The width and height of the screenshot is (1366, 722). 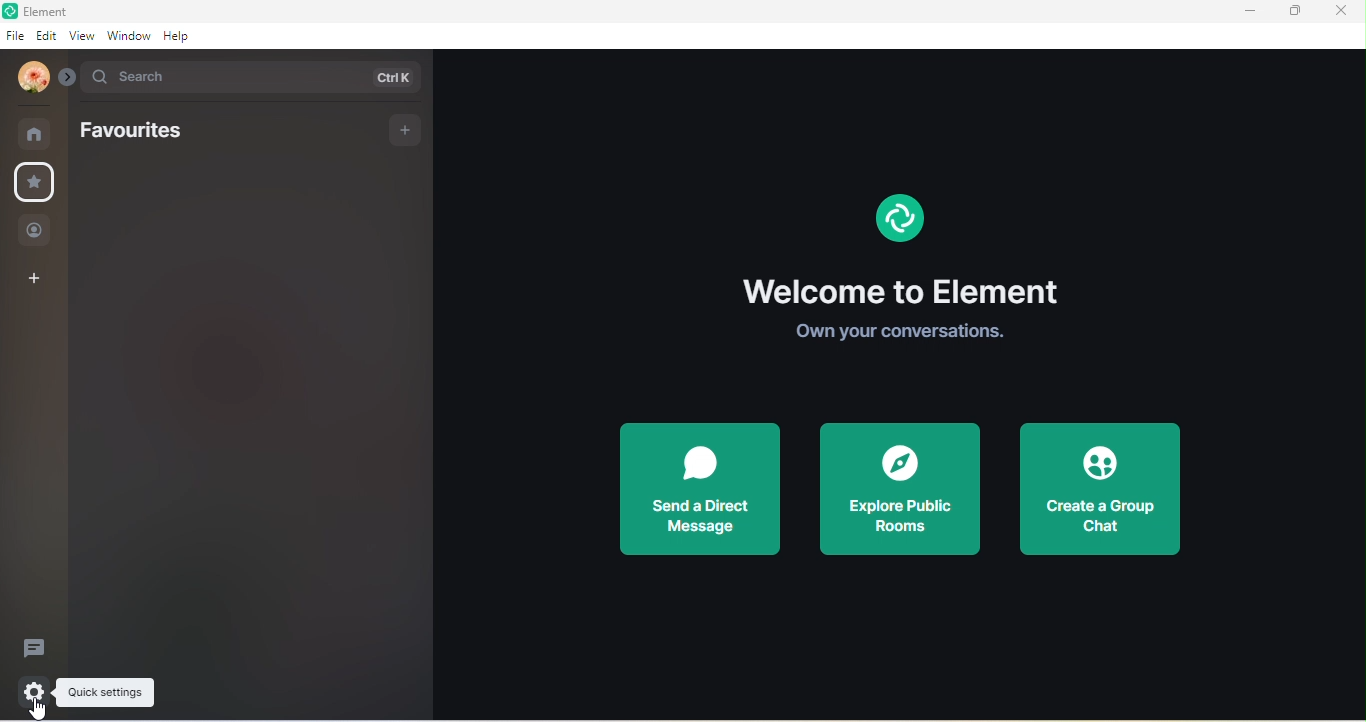 What do you see at coordinates (127, 37) in the screenshot?
I see `window` at bounding box center [127, 37].